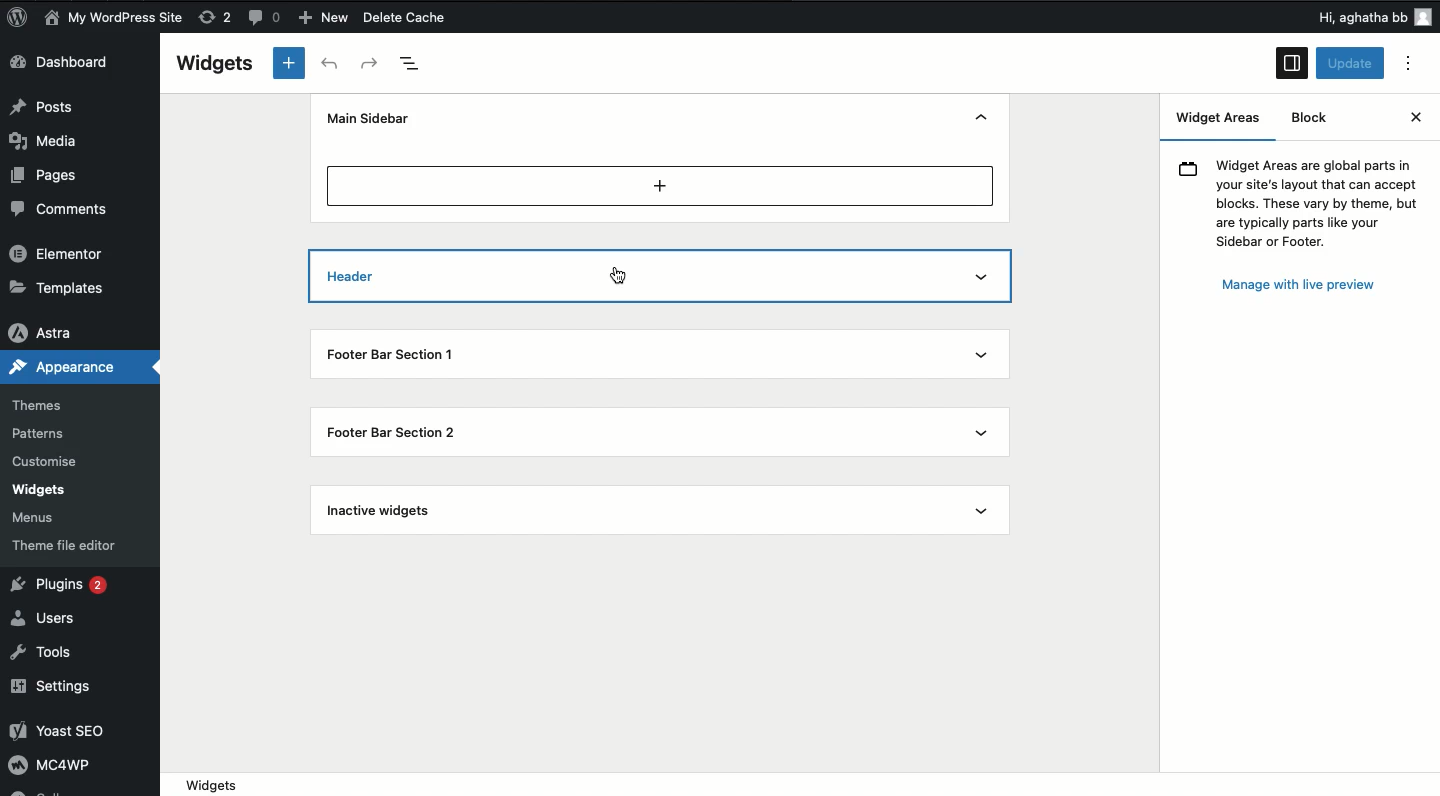 This screenshot has width=1440, height=796. I want to click on Delete Cache, so click(441, 19).